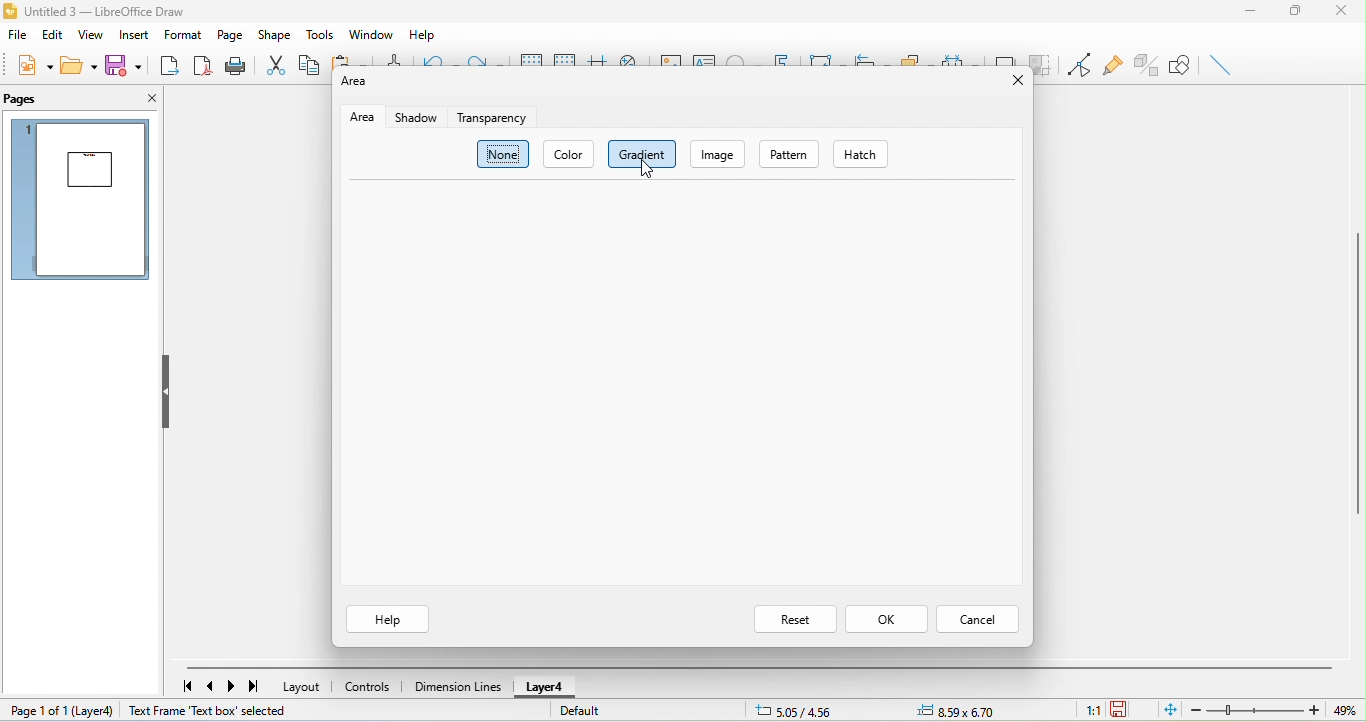  What do you see at coordinates (742, 57) in the screenshot?
I see `special character` at bounding box center [742, 57].